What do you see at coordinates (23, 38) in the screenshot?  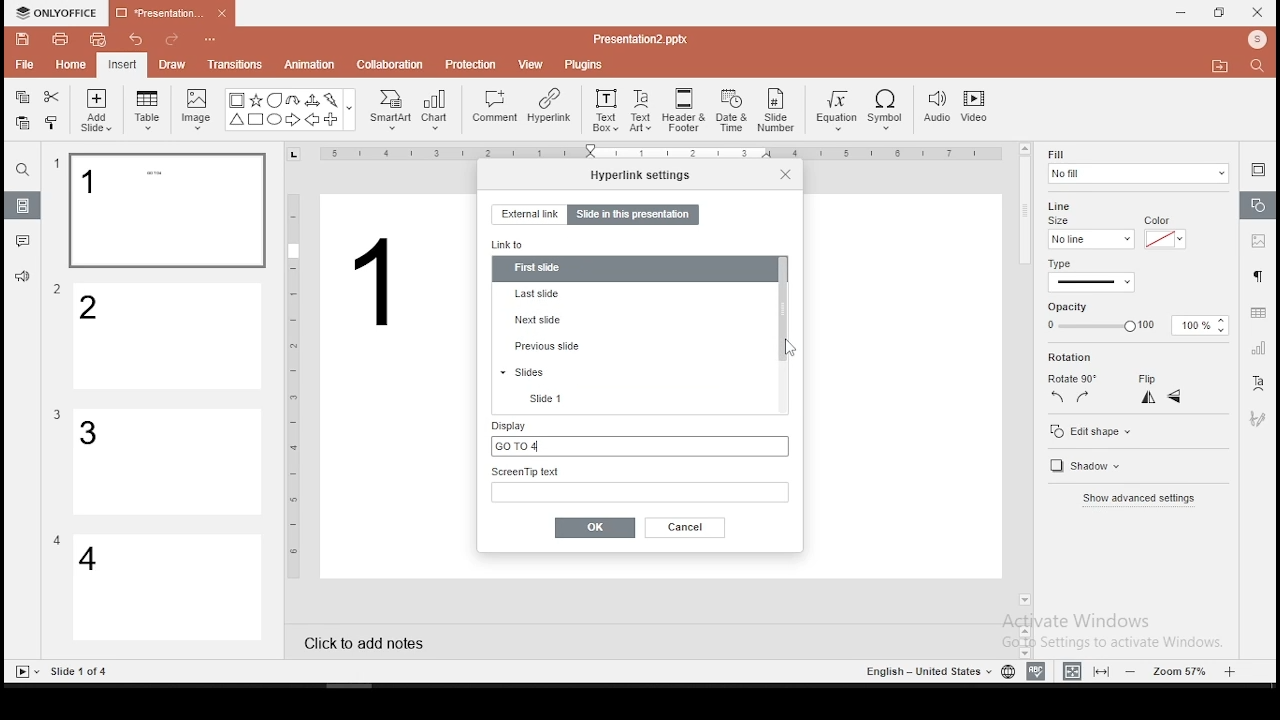 I see `save` at bounding box center [23, 38].